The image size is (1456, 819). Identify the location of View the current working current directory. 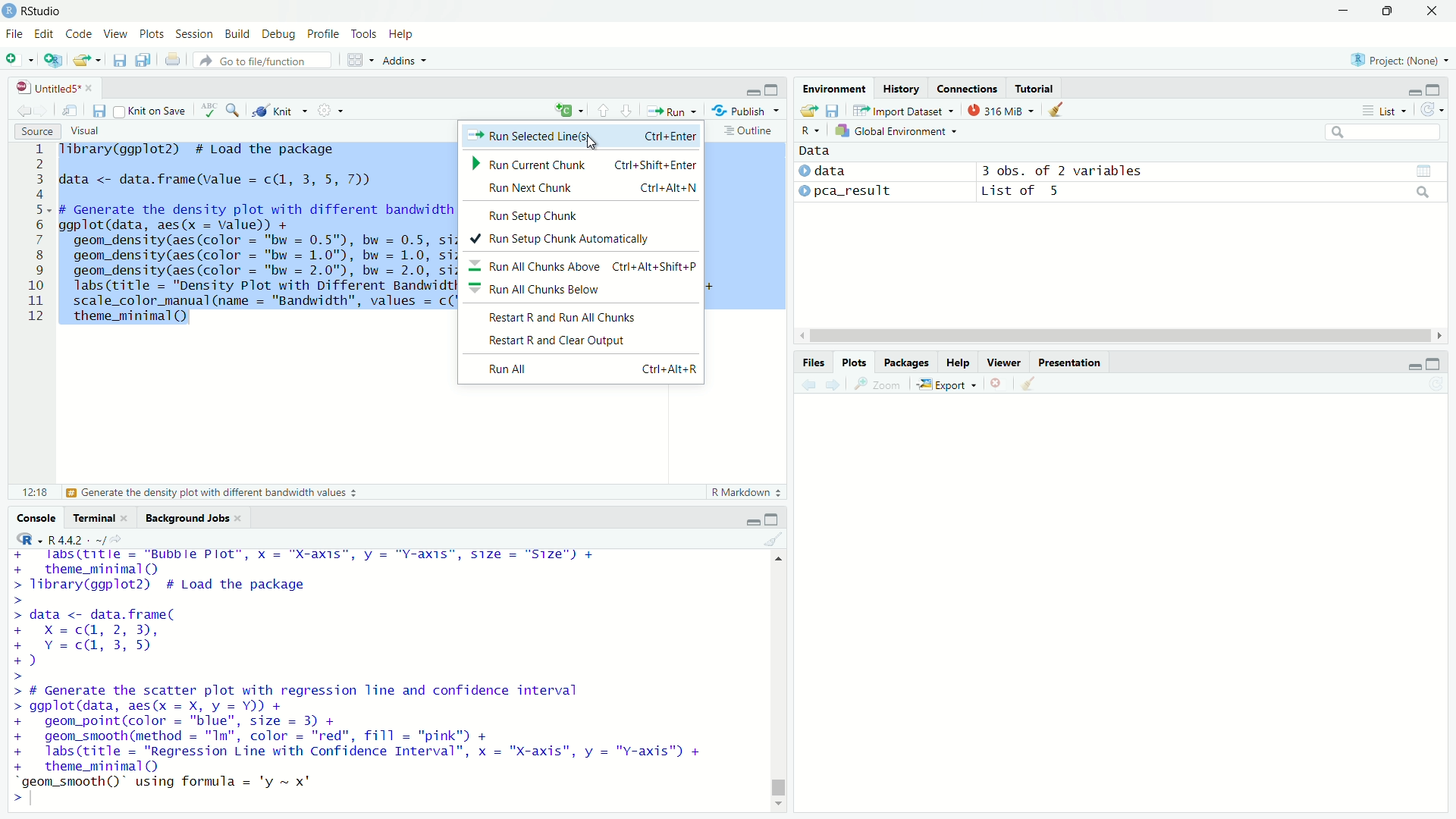
(117, 538).